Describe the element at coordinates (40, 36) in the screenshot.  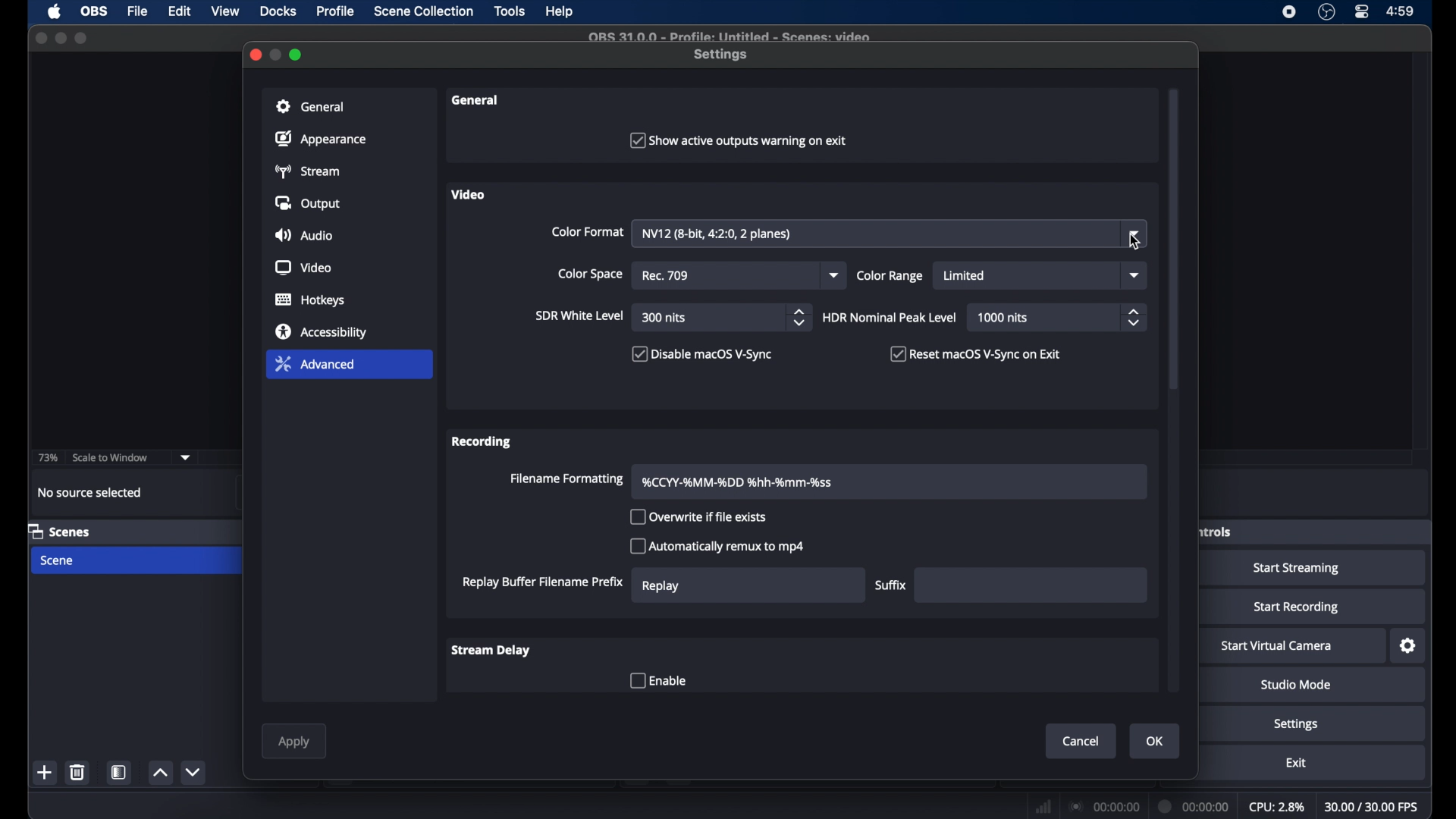
I see `close` at that location.